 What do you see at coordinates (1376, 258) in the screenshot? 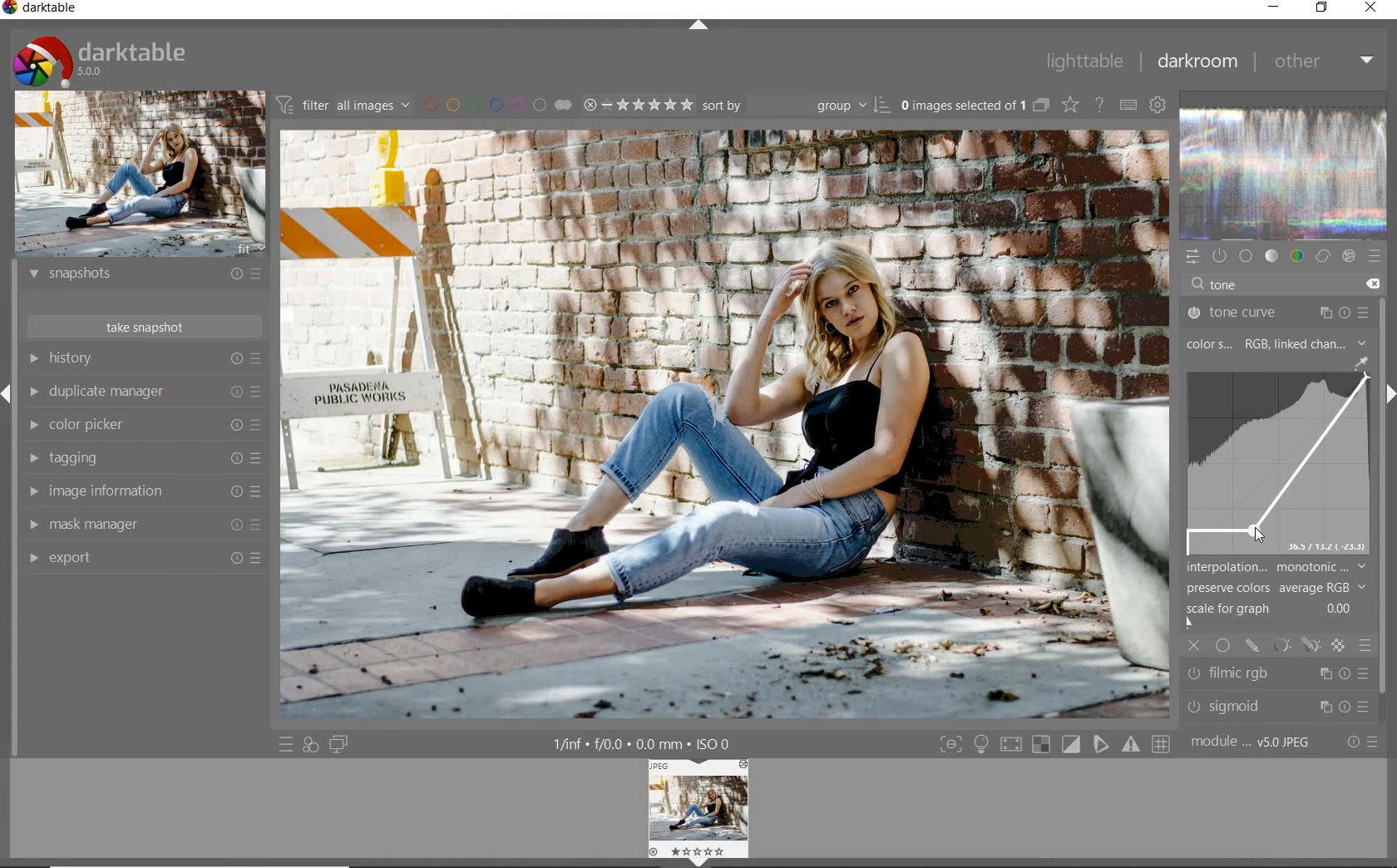
I see `presets` at bounding box center [1376, 258].